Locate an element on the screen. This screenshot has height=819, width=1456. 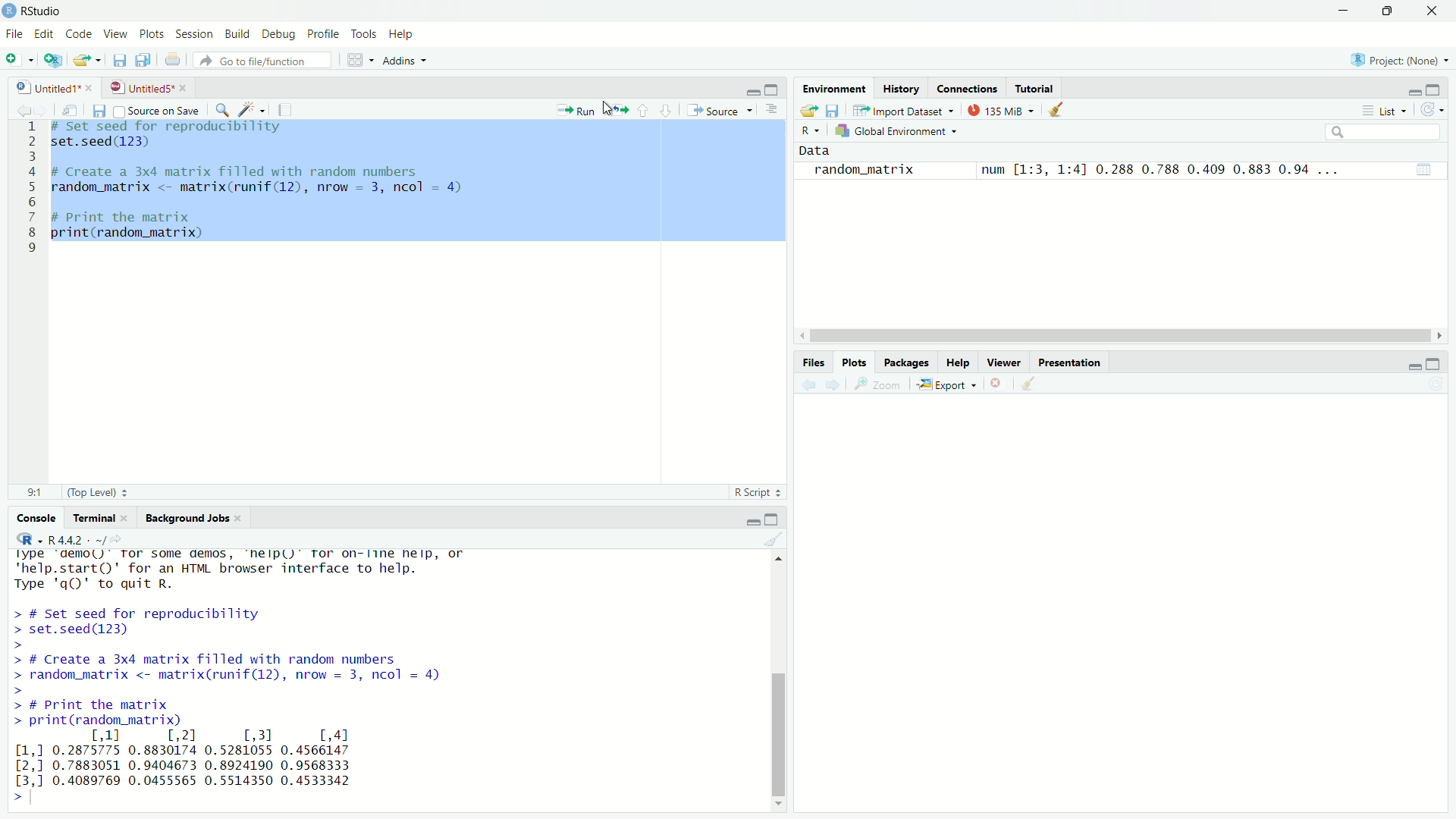
minimise is located at coordinates (1409, 368).